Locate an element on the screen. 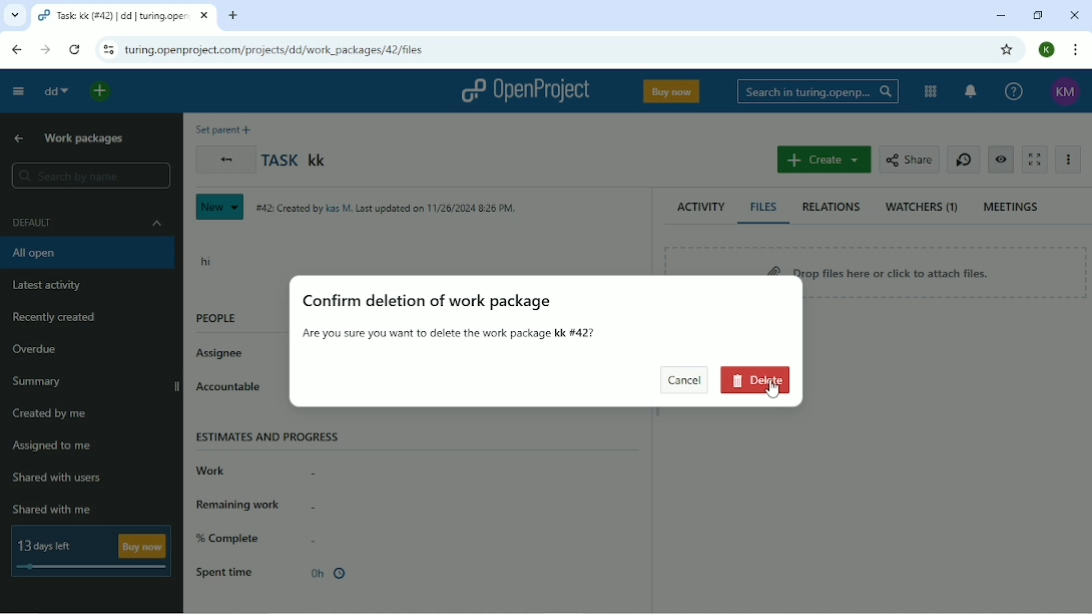 This screenshot has width=1092, height=614. More is located at coordinates (1071, 161).